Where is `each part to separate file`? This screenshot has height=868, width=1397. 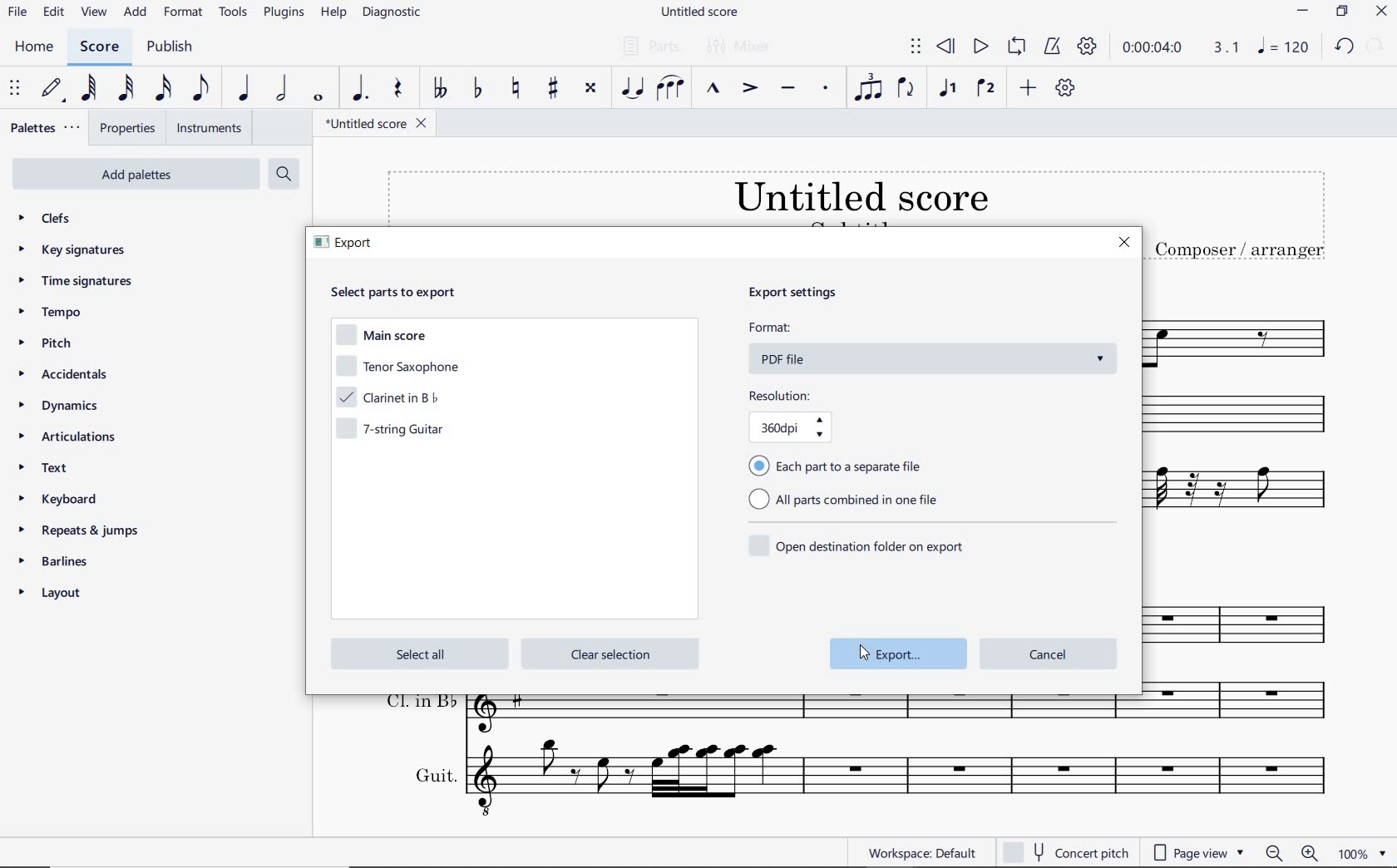
each part to separate file is located at coordinates (840, 465).